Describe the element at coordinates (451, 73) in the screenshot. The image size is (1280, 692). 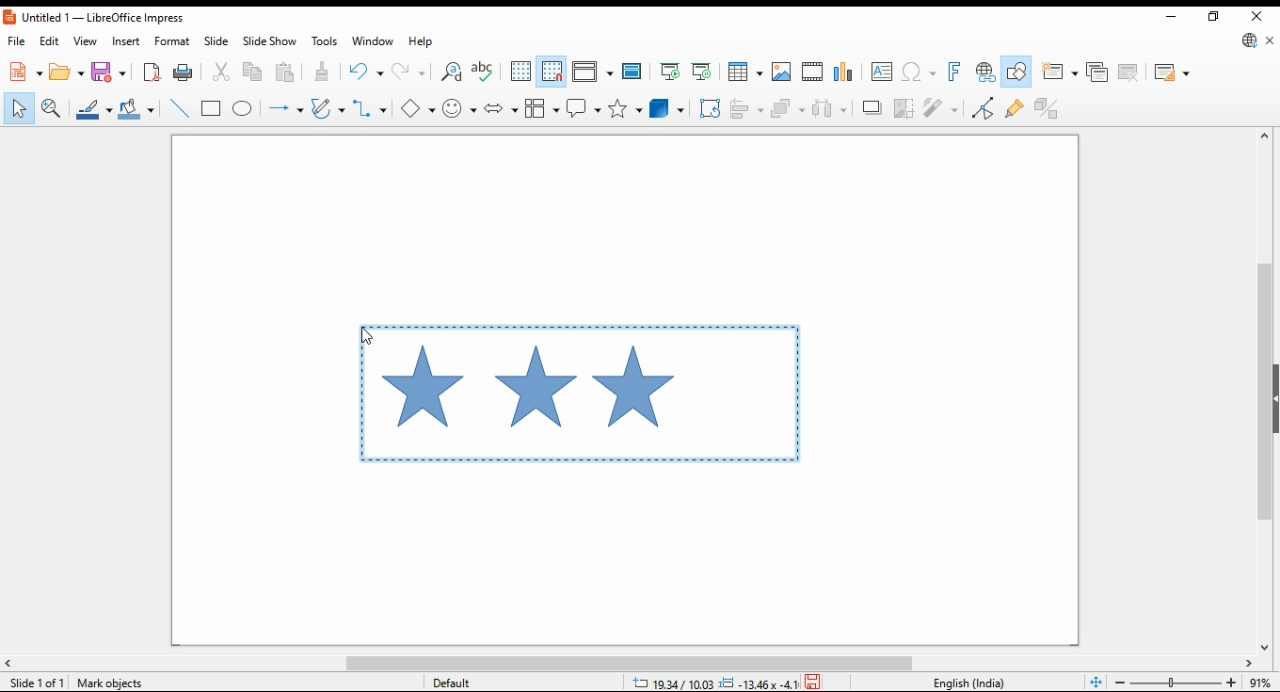
I see `find and replace` at that location.